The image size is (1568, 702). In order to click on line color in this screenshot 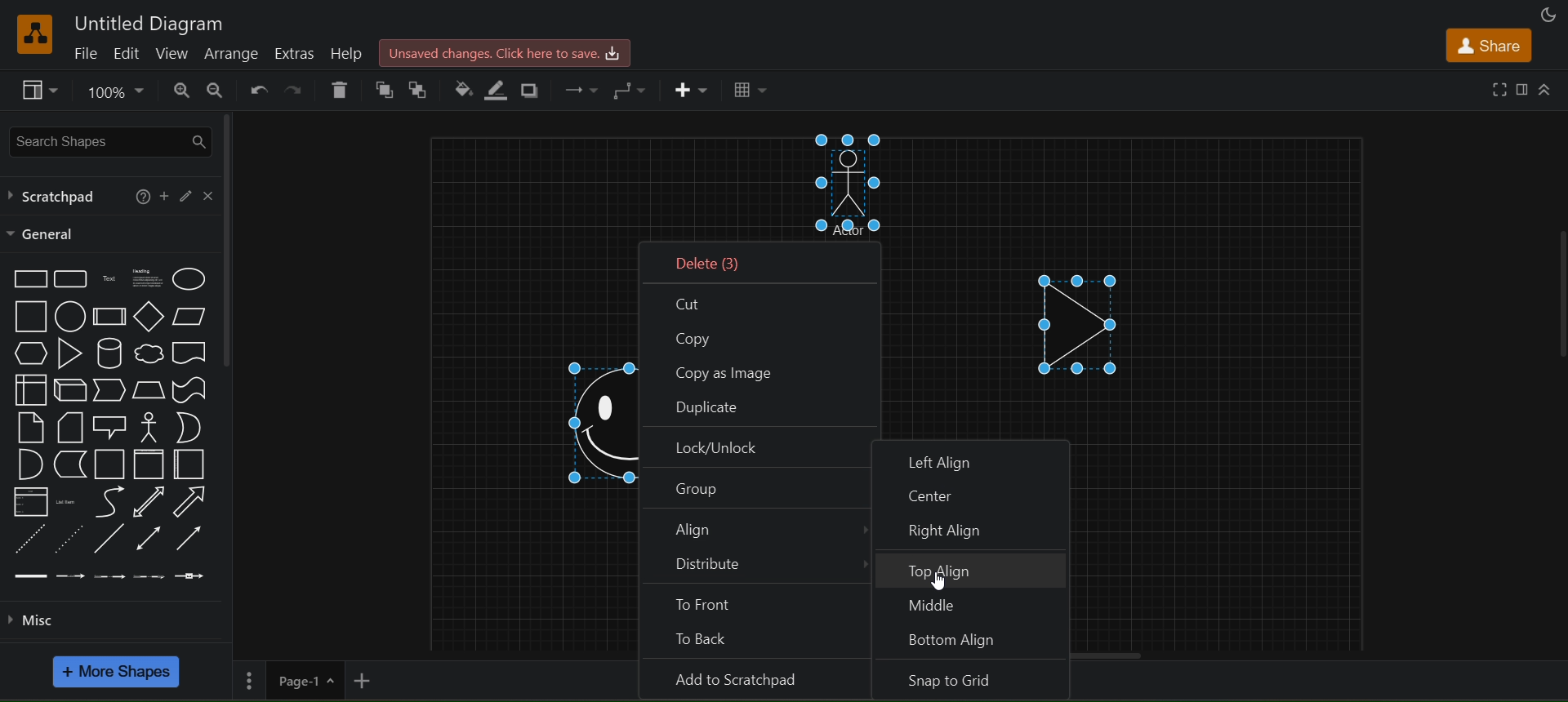, I will do `click(501, 91)`.